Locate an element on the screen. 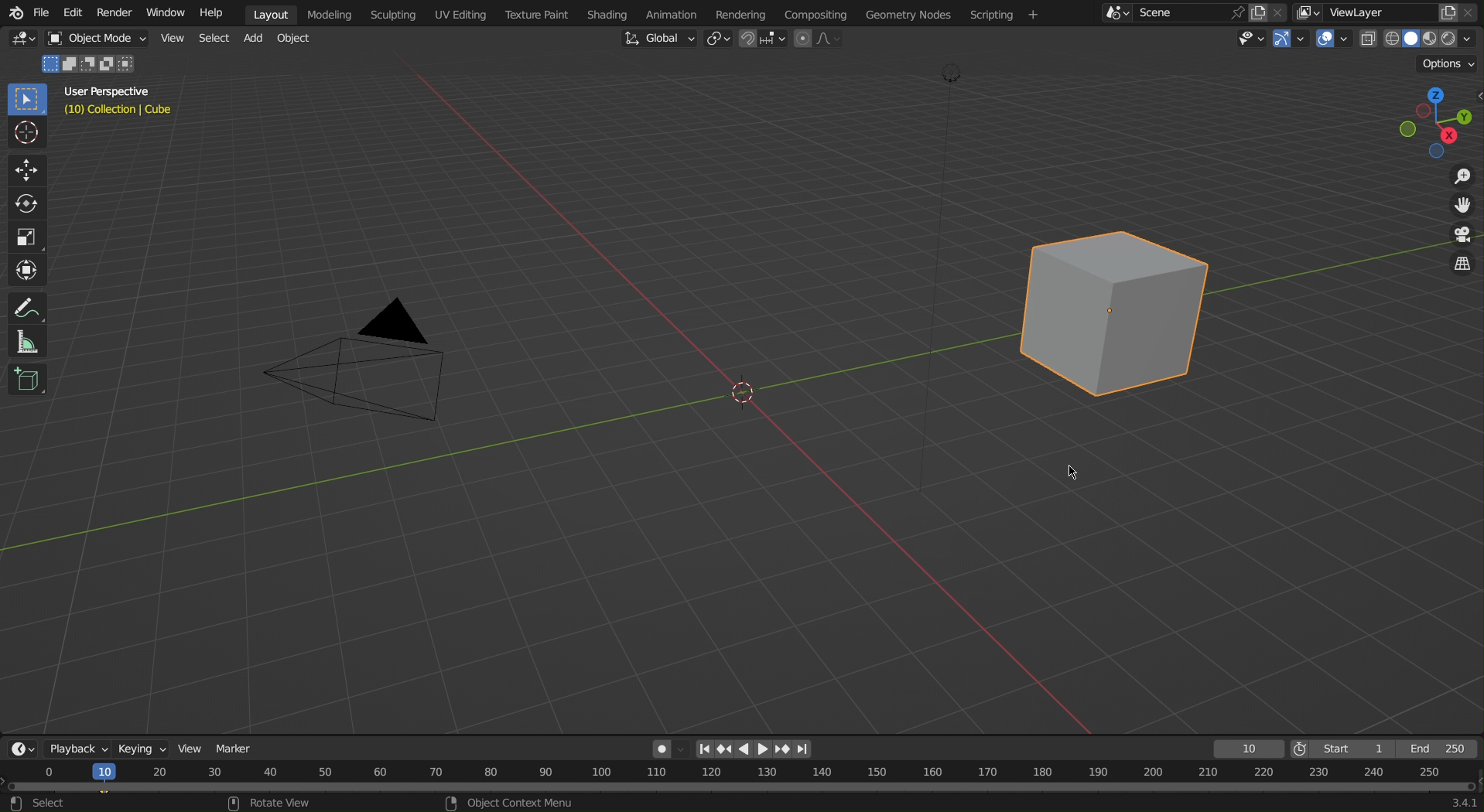  Next is located at coordinates (783, 749).